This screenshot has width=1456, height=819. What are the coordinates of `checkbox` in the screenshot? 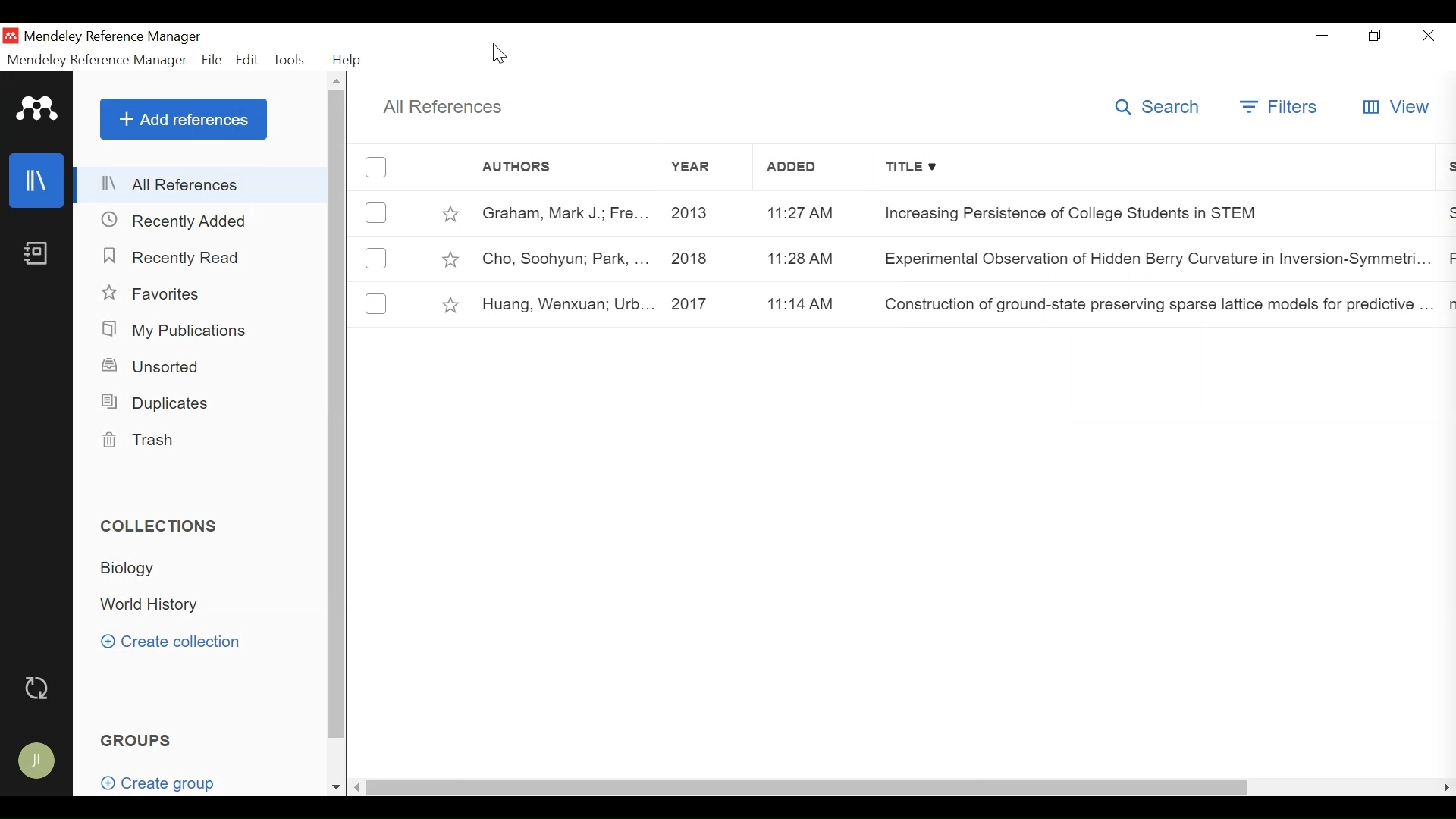 It's located at (376, 214).